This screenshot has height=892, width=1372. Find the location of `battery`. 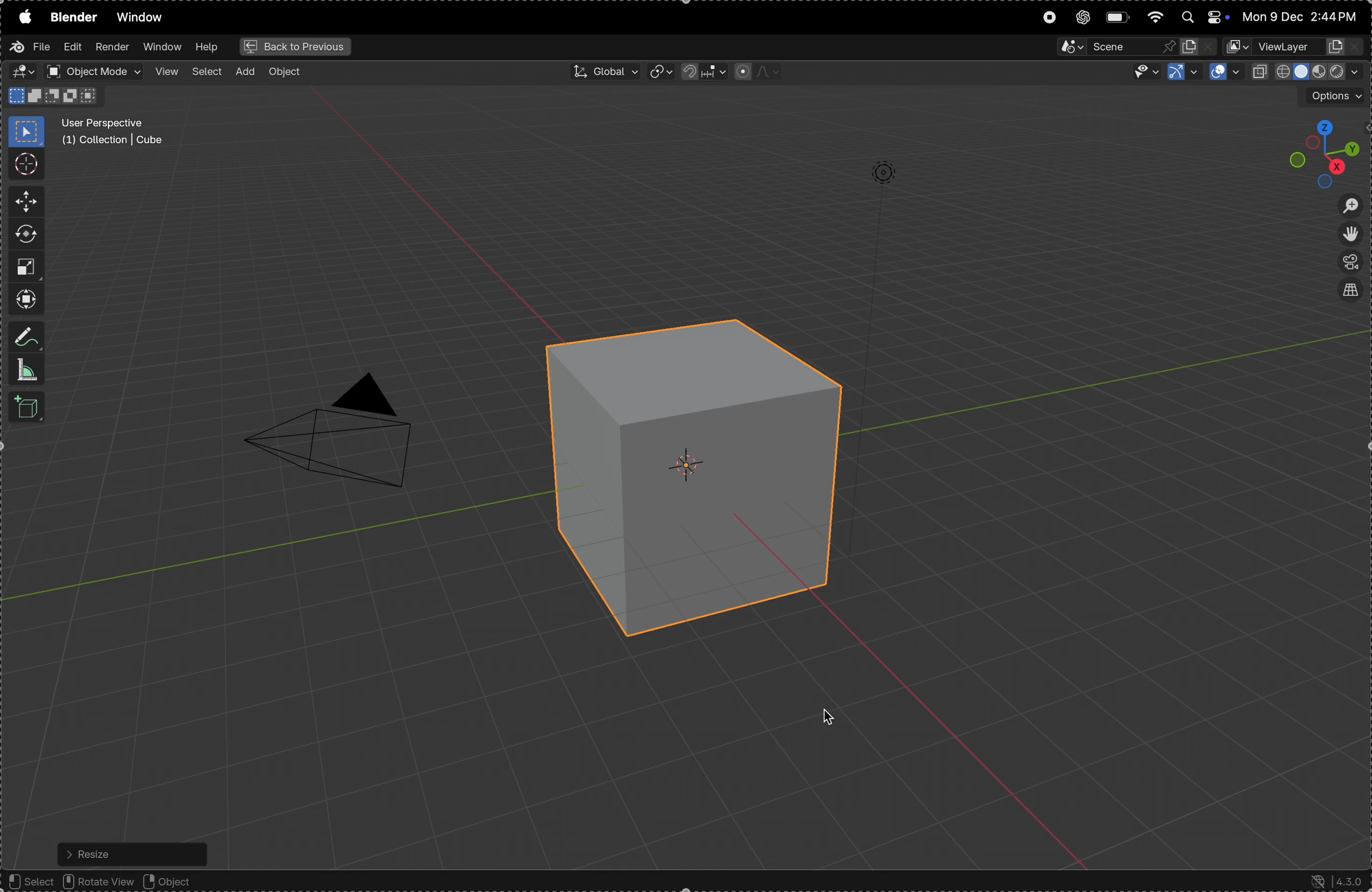

battery is located at coordinates (1118, 18).